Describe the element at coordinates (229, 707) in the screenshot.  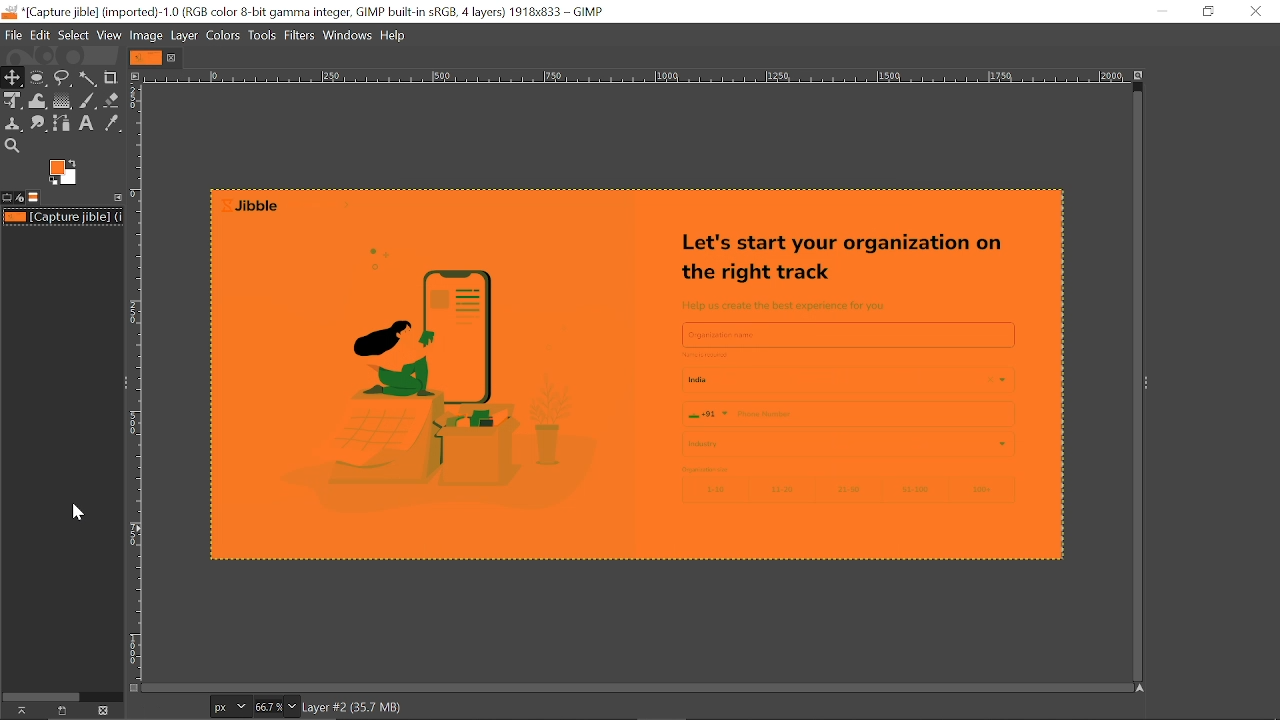
I see `Units of the current image` at that location.